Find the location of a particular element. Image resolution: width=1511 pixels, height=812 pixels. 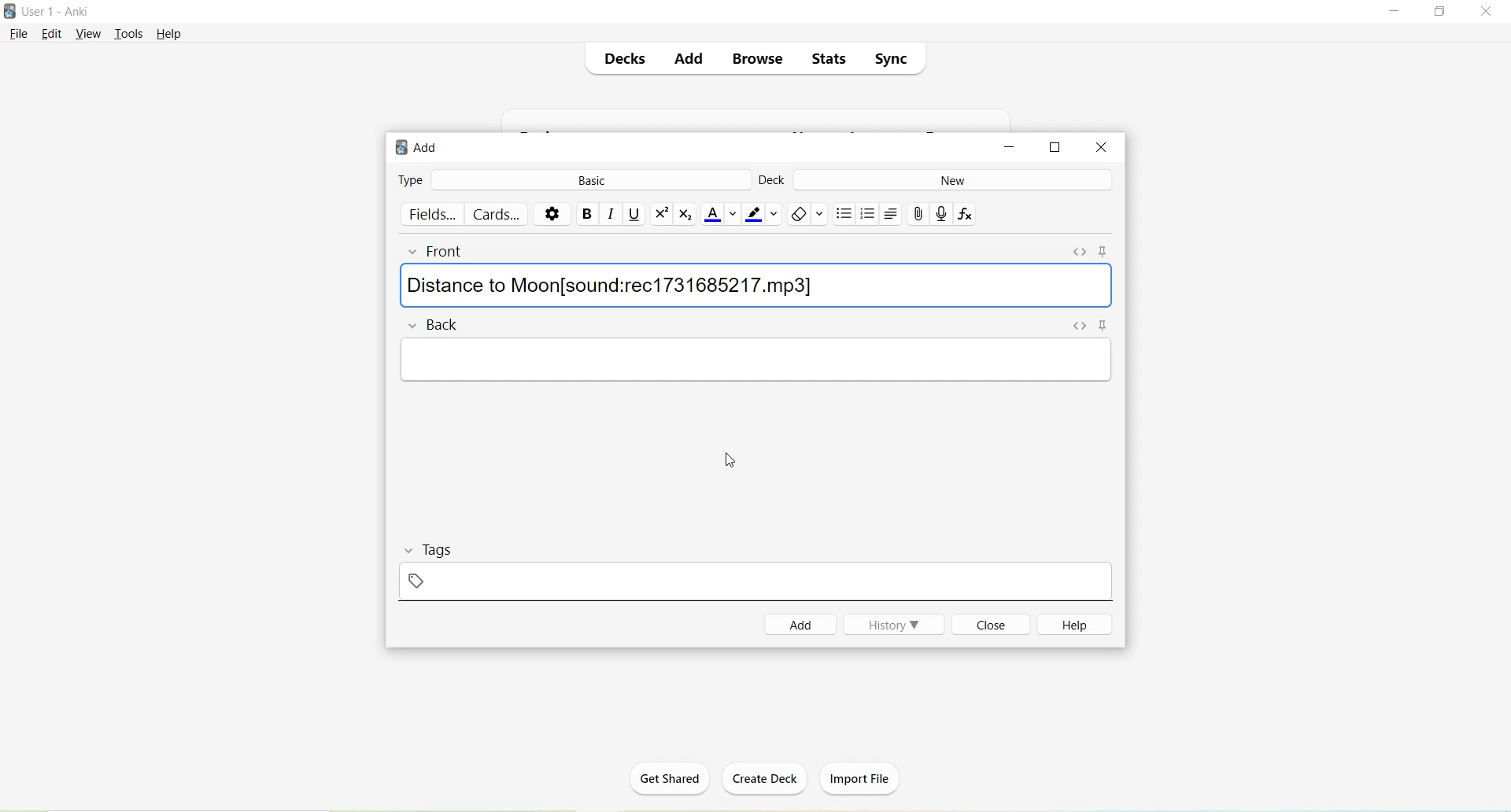

Minimize is located at coordinates (1007, 149).